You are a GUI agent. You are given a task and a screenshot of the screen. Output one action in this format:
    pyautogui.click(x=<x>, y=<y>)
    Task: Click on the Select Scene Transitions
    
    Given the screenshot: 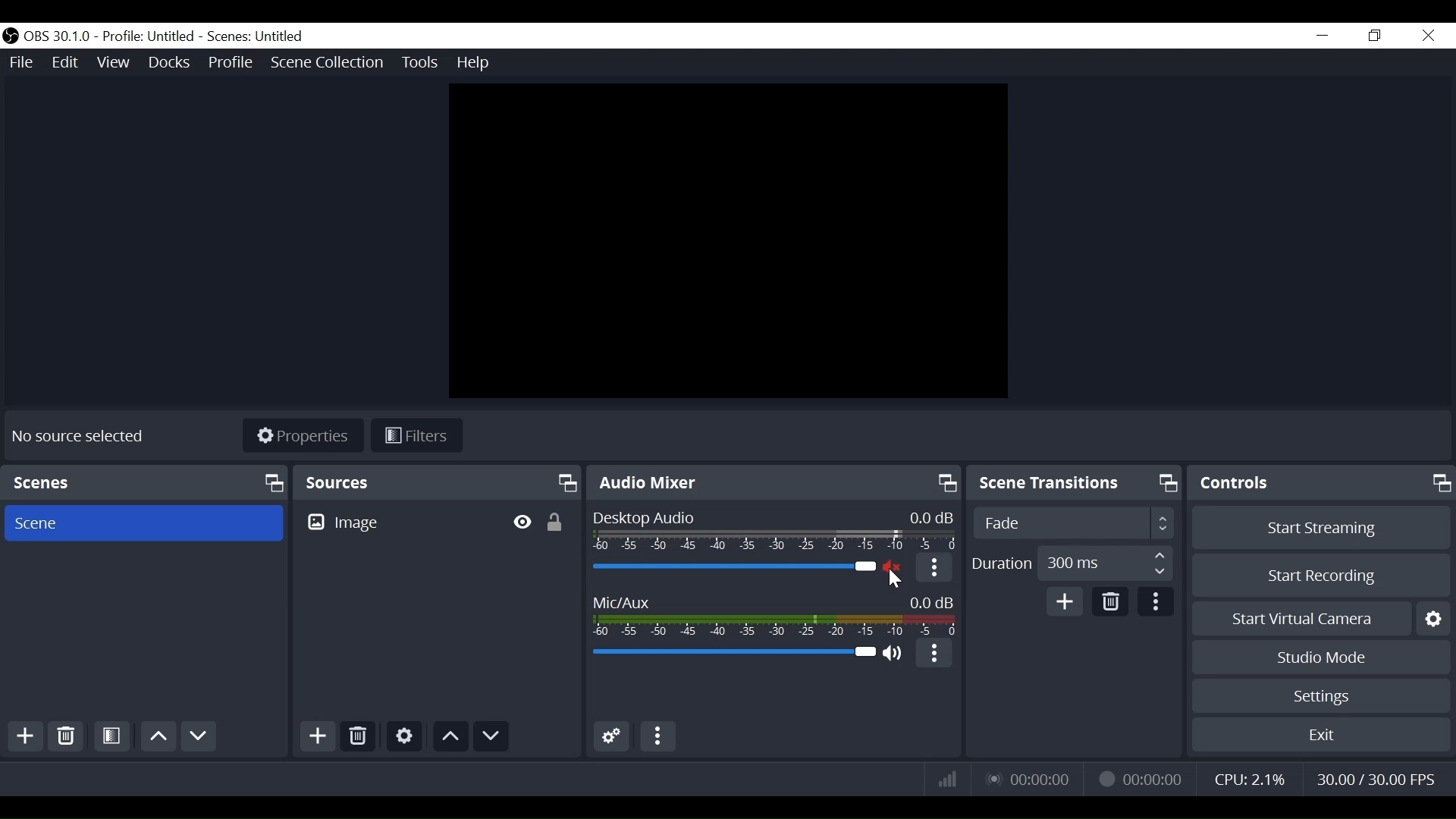 What is the action you would take?
    pyautogui.click(x=1078, y=524)
    